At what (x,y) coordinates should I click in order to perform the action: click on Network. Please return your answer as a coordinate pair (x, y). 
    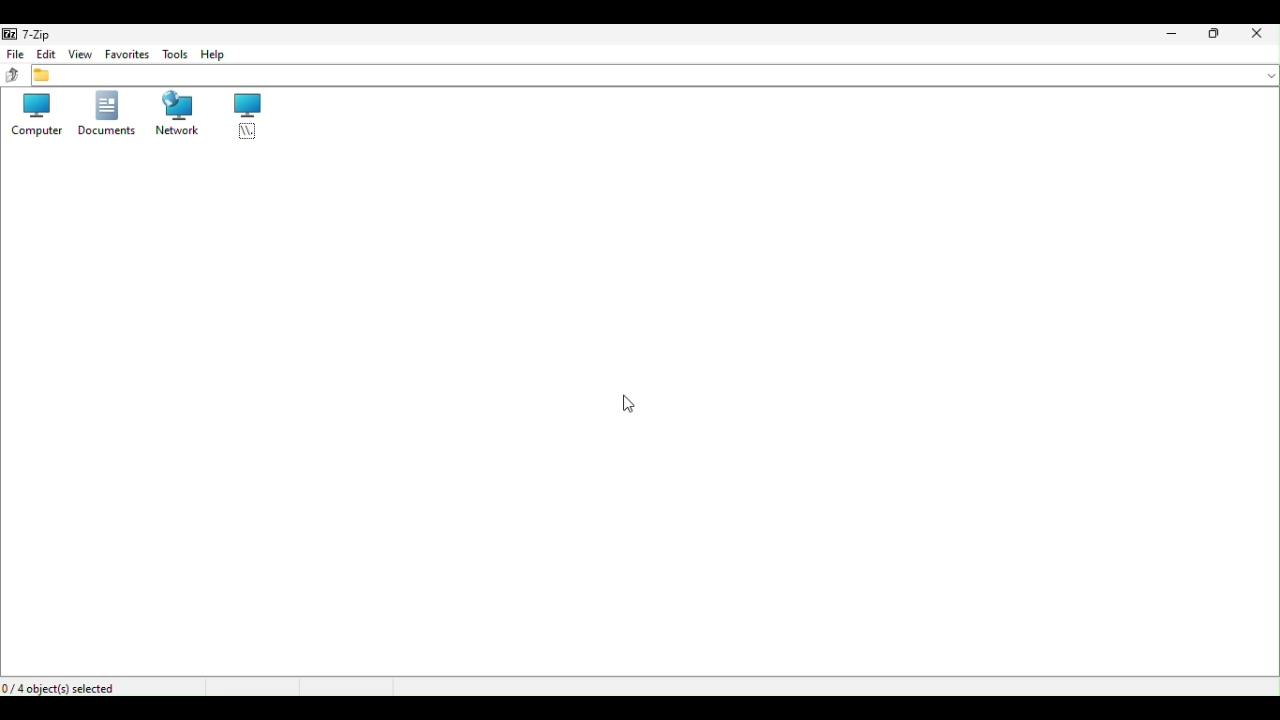
    Looking at the image, I should click on (179, 114).